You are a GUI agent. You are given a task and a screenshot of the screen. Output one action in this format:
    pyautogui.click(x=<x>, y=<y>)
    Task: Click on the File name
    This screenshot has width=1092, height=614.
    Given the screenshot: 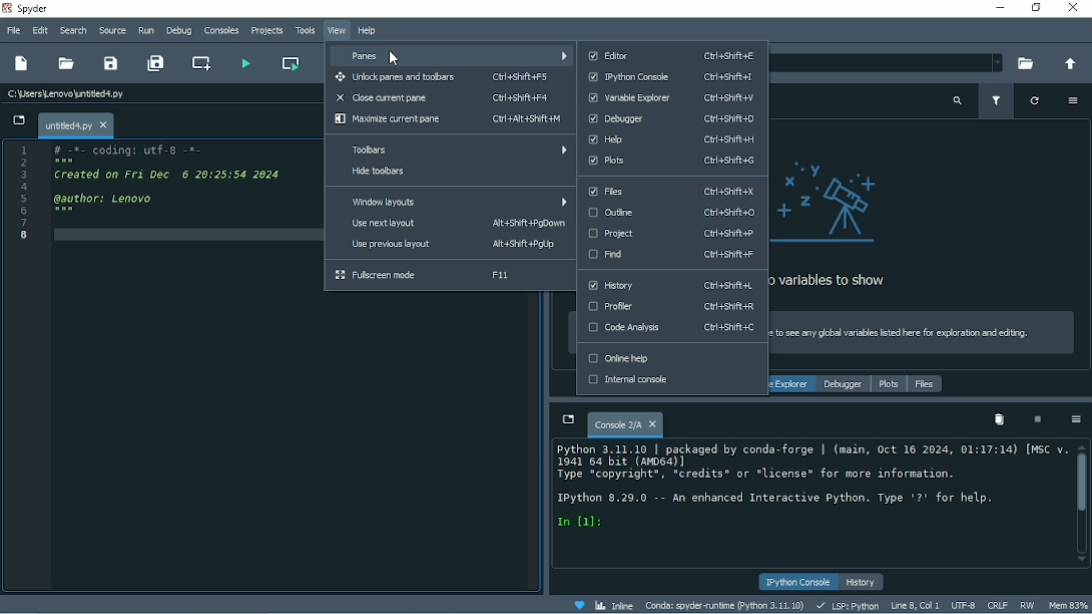 What is the action you would take?
    pyautogui.click(x=76, y=125)
    